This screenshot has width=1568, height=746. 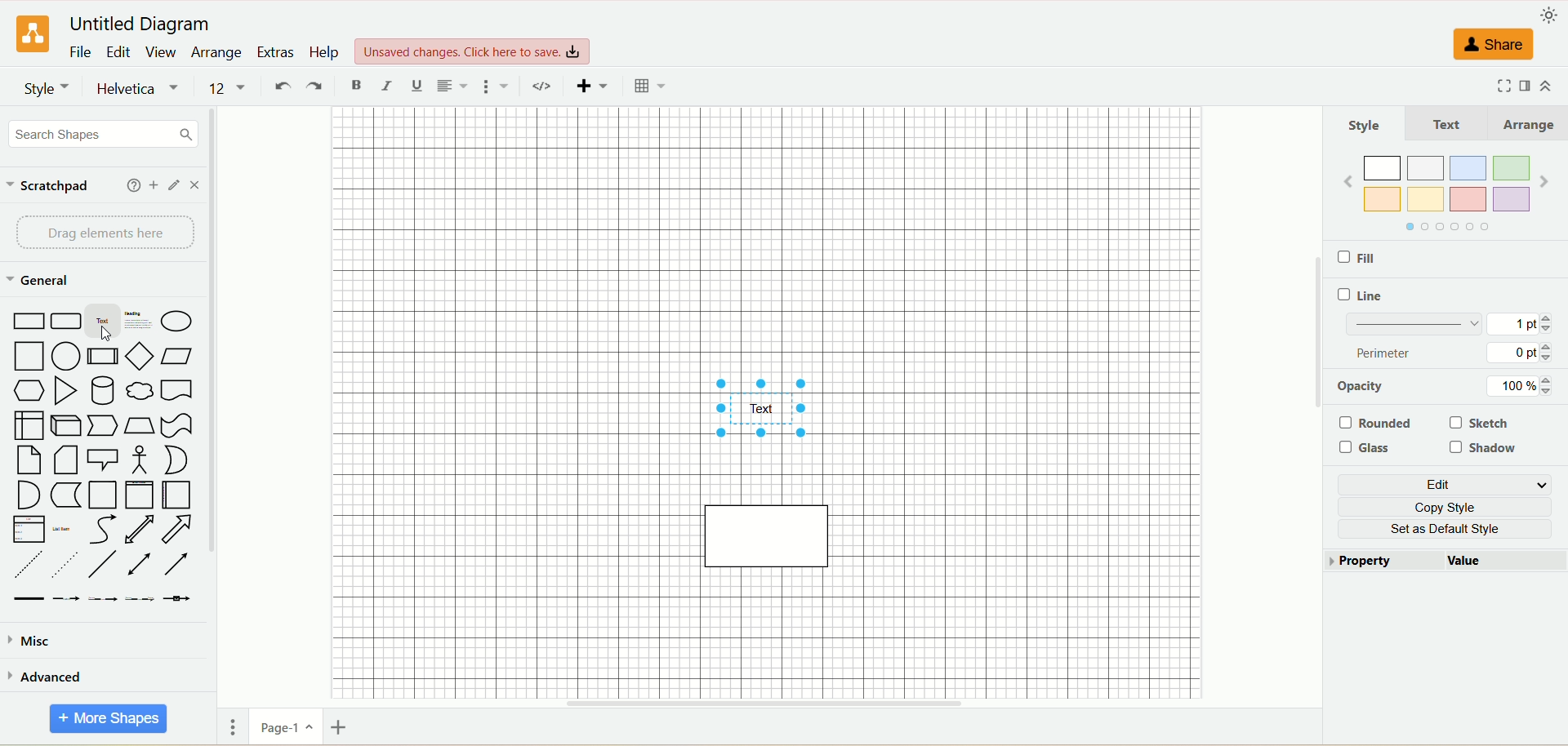 What do you see at coordinates (176, 425) in the screenshot?
I see `tape` at bounding box center [176, 425].